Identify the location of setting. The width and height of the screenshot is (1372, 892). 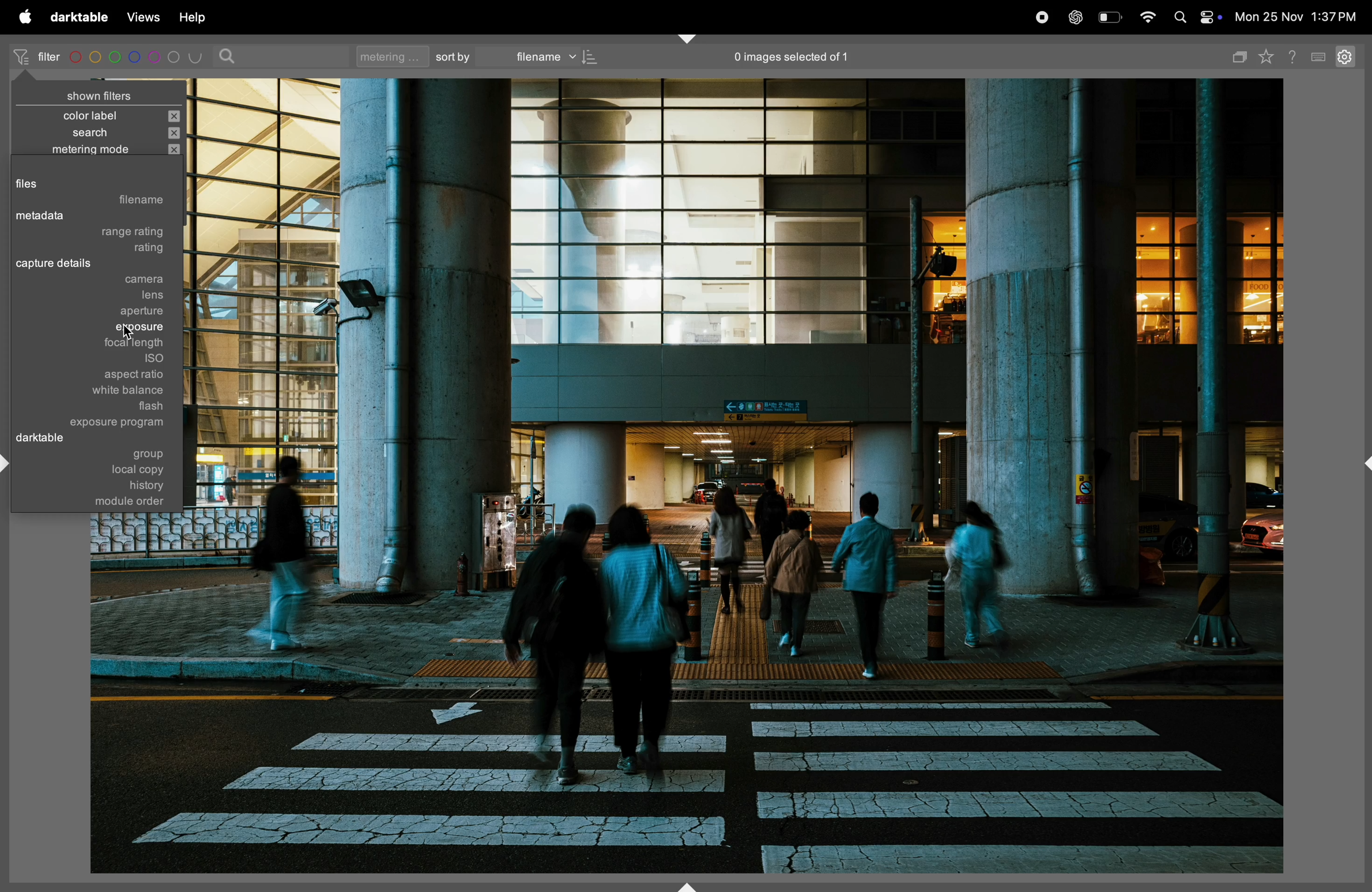
(1348, 58).